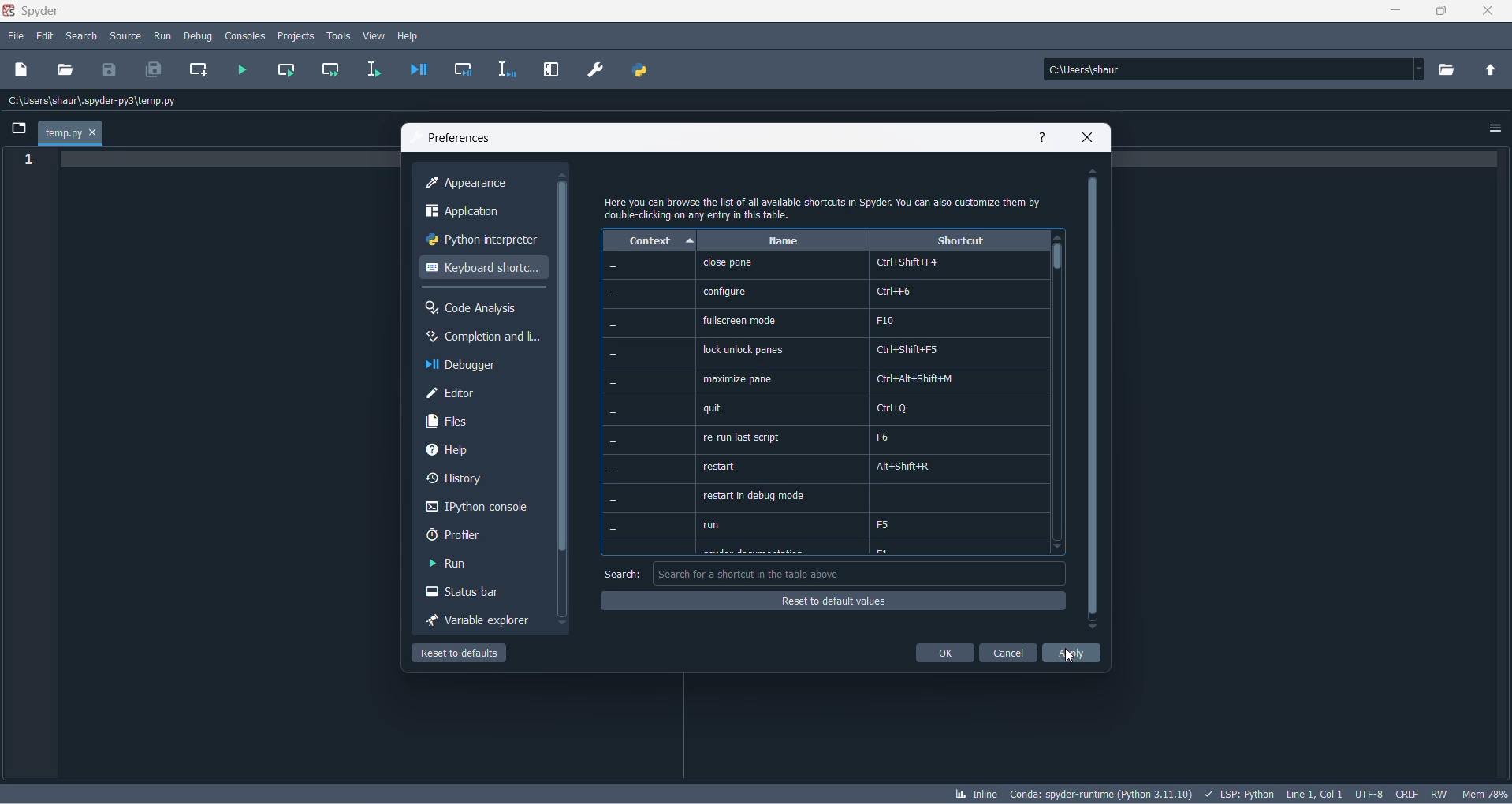  Describe the element at coordinates (374, 36) in the screenshot. I see `view` at that location.